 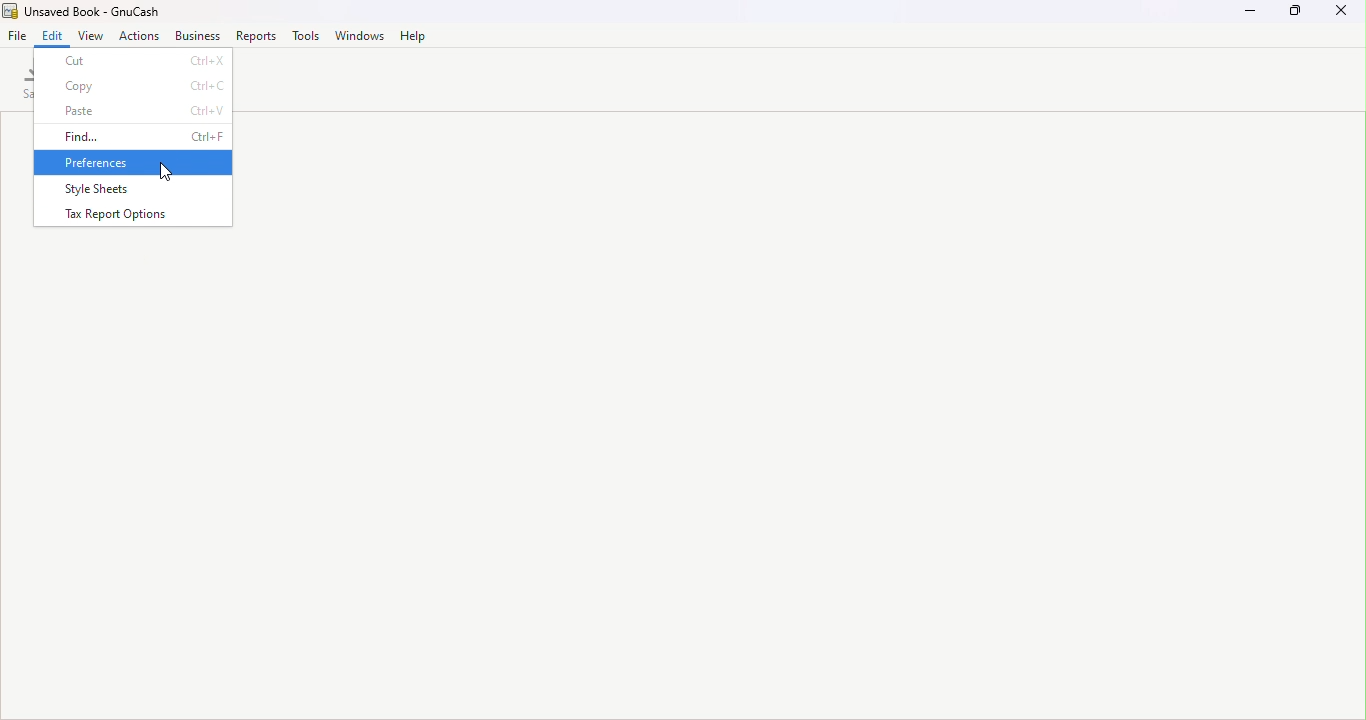 I want to click on Style sheets, so click(x=132, y=189).